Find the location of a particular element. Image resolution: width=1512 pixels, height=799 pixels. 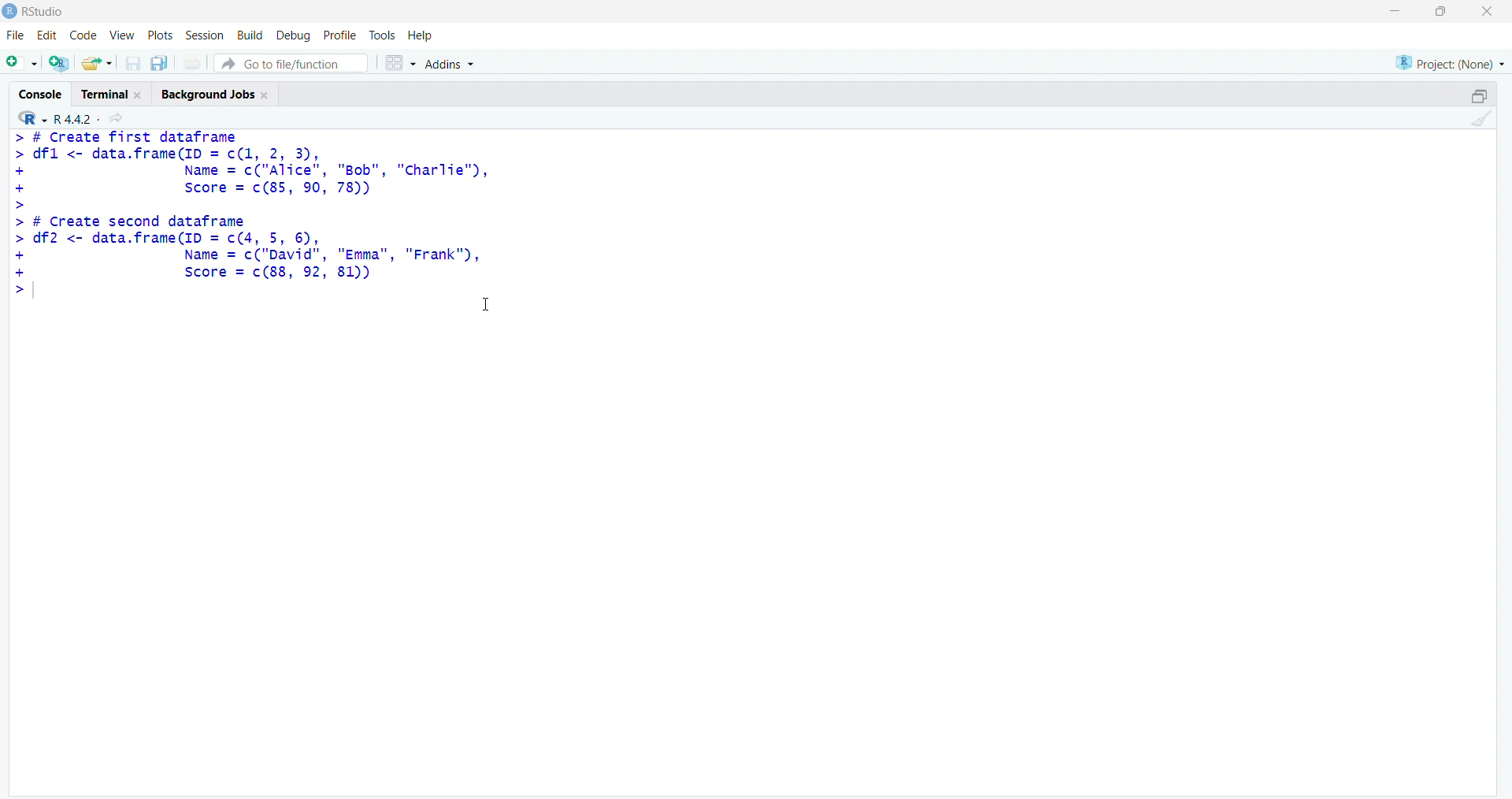

# Create Tirst datatramedfl <- data.frame(ID = c(1, 2, 3),Name = c("Alice", "Bob", "Charlie"),Score = c(85, 90, 78))# Create second dataframedf2 <- data.frame(ID = c(4, 5, 6),Name = c("David", "Emma", "Frank"),Score = c(88, 92, 81)) is located at coordinates (255, 213).